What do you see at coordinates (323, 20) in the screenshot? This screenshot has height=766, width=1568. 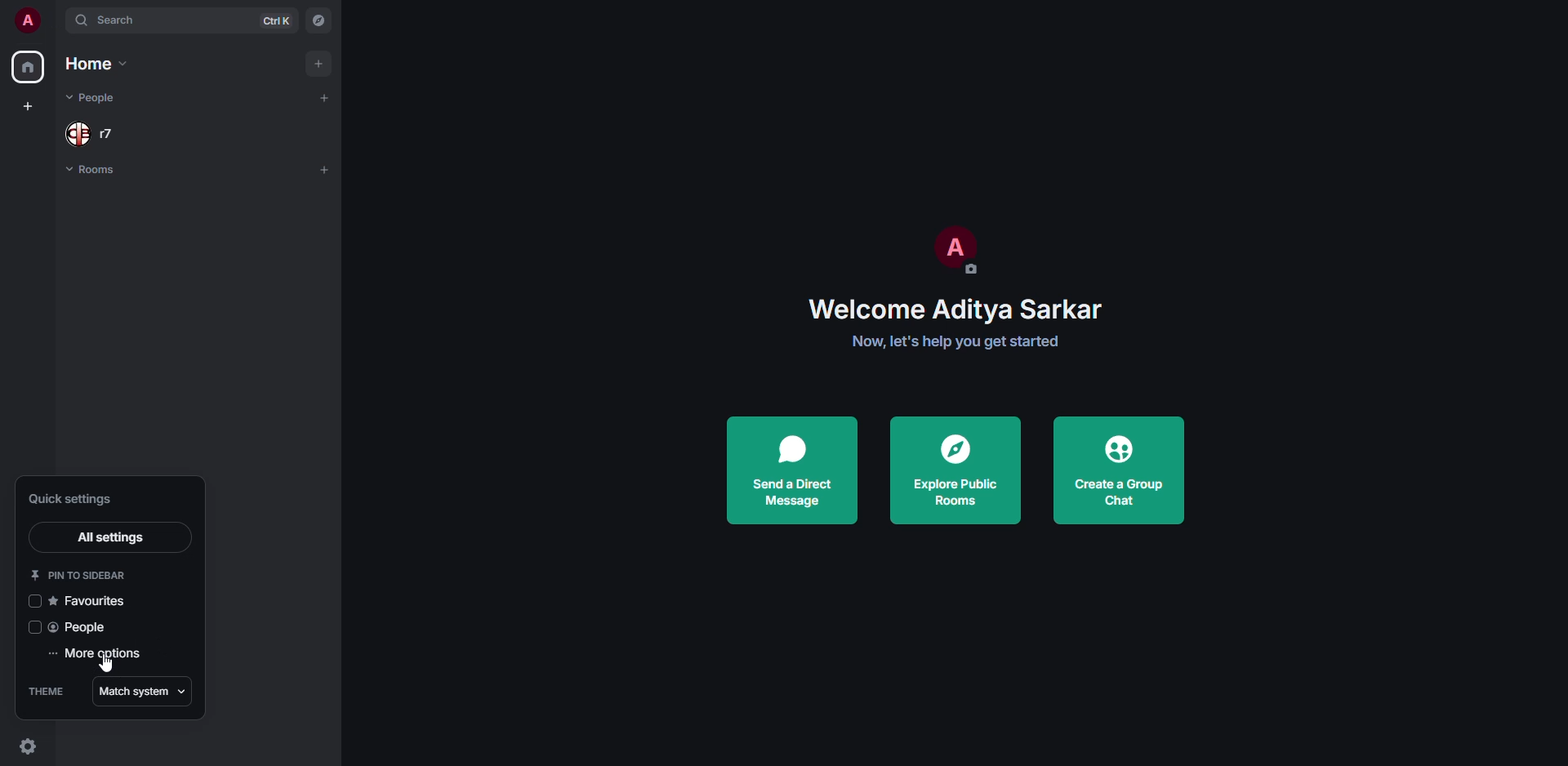 I see `navigator` at bounding box center [323, 20].